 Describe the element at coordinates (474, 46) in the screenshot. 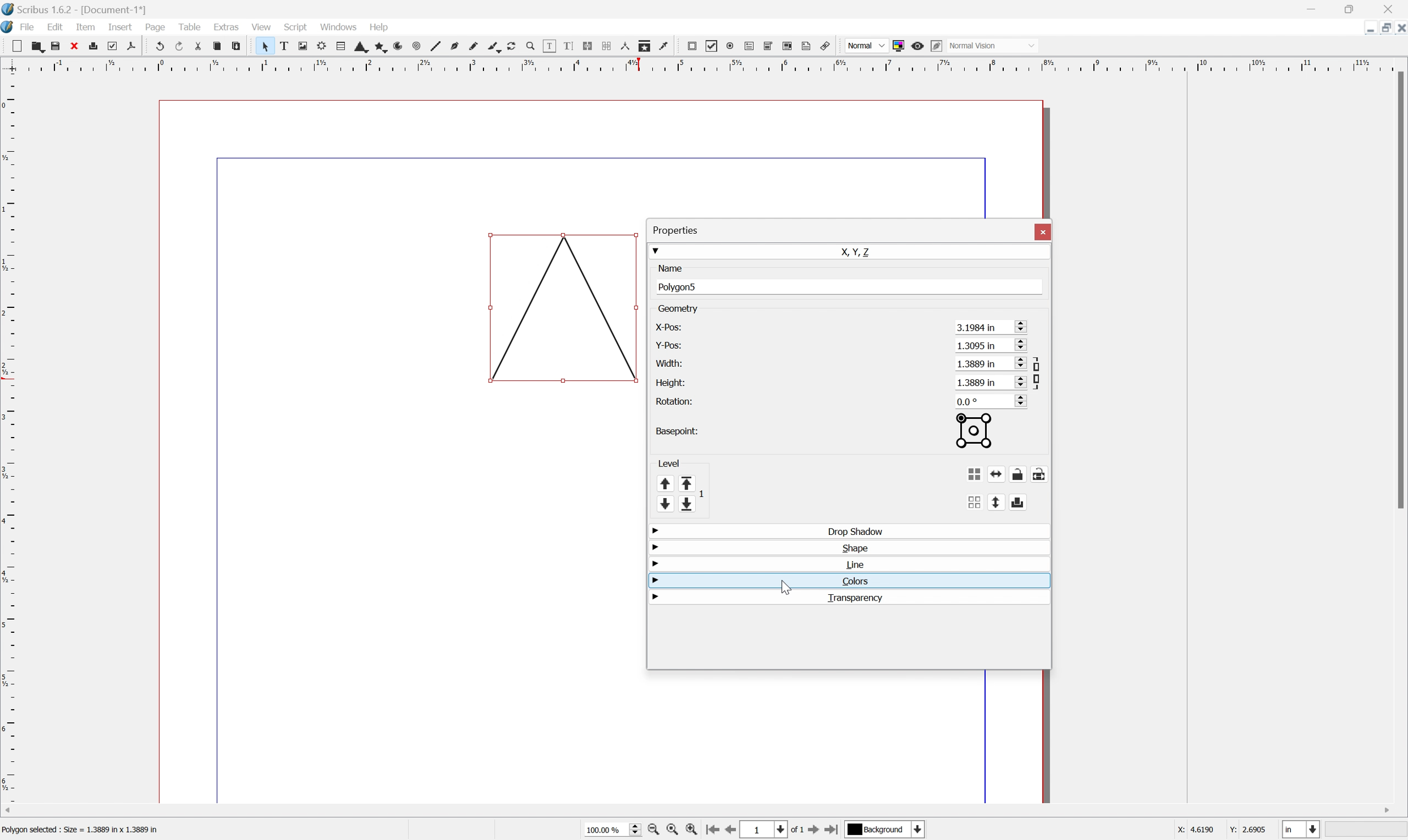

I see `Freehand line` at that location.